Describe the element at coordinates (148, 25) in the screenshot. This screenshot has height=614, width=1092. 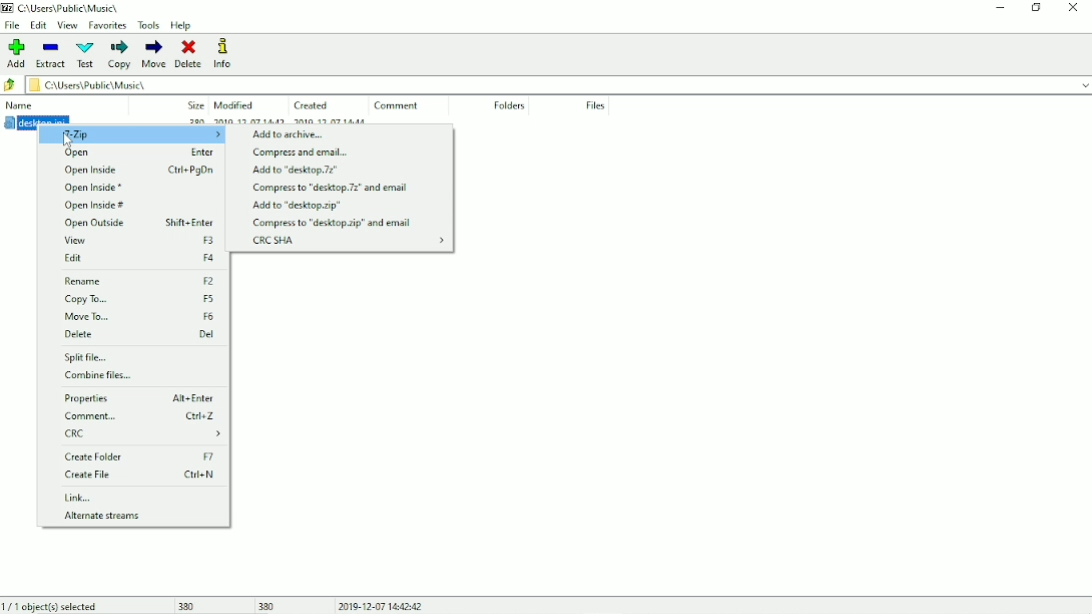
I see `Tools` at that location.